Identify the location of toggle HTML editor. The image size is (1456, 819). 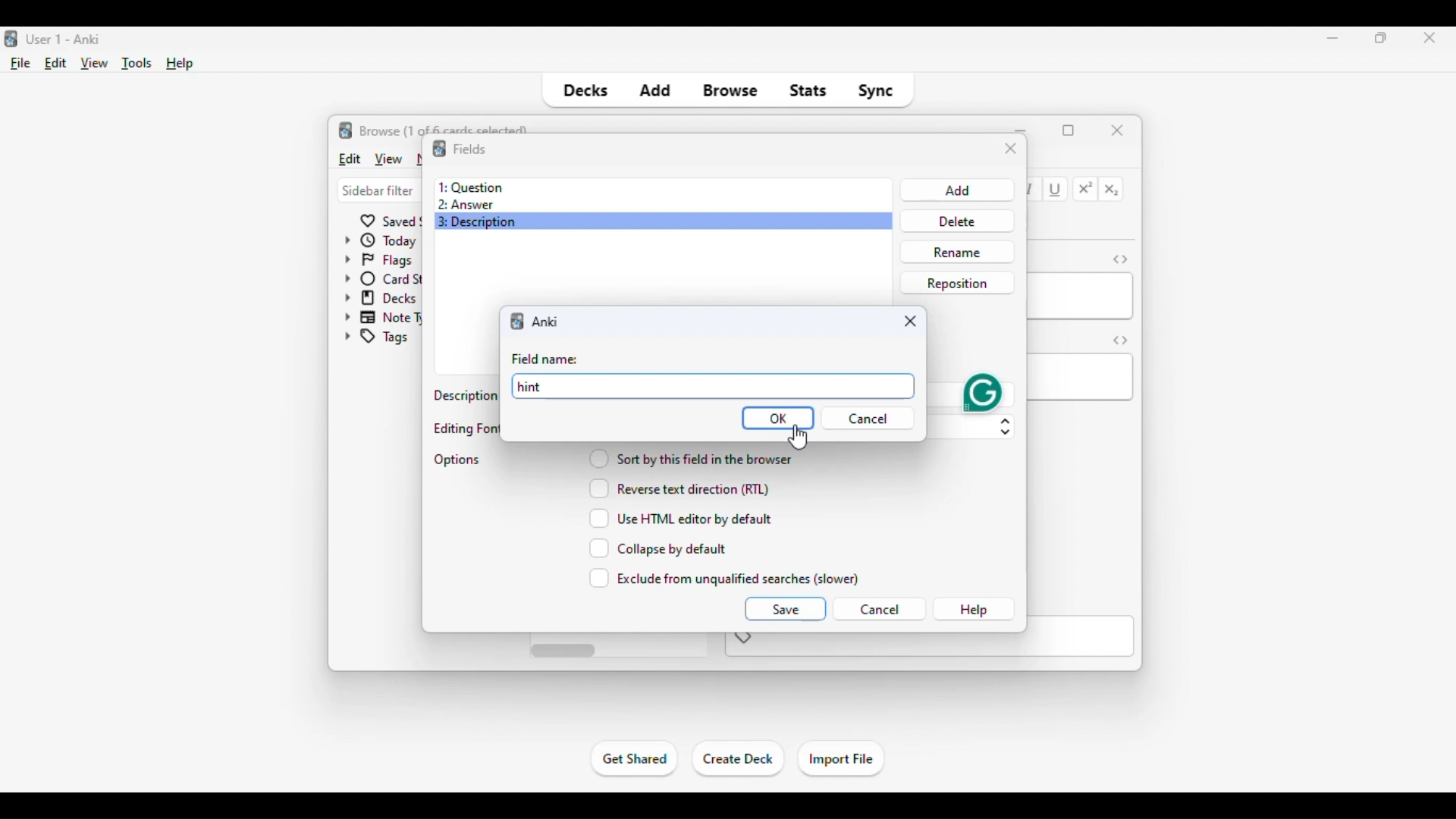
(1120, 259).